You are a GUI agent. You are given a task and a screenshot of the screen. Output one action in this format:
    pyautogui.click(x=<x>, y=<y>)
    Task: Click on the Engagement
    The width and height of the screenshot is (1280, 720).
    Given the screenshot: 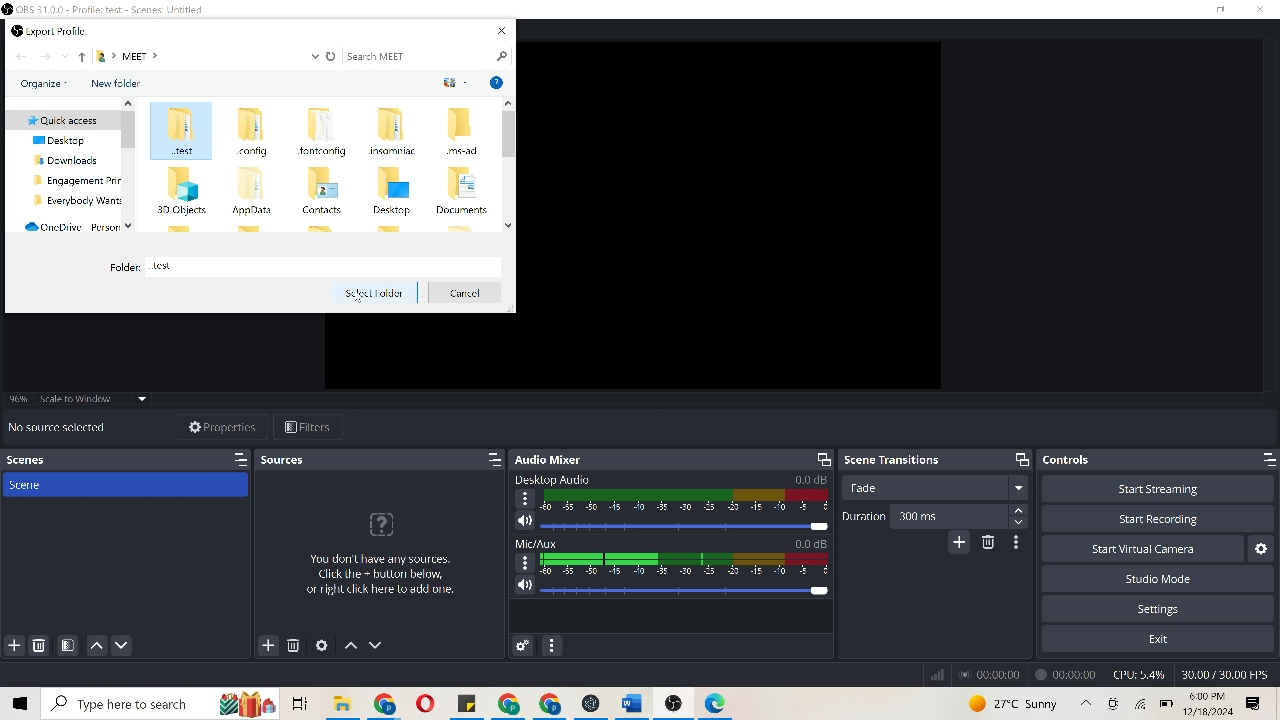 What is the action you would take?
    pyautogui.click(x=70, y=183)
    